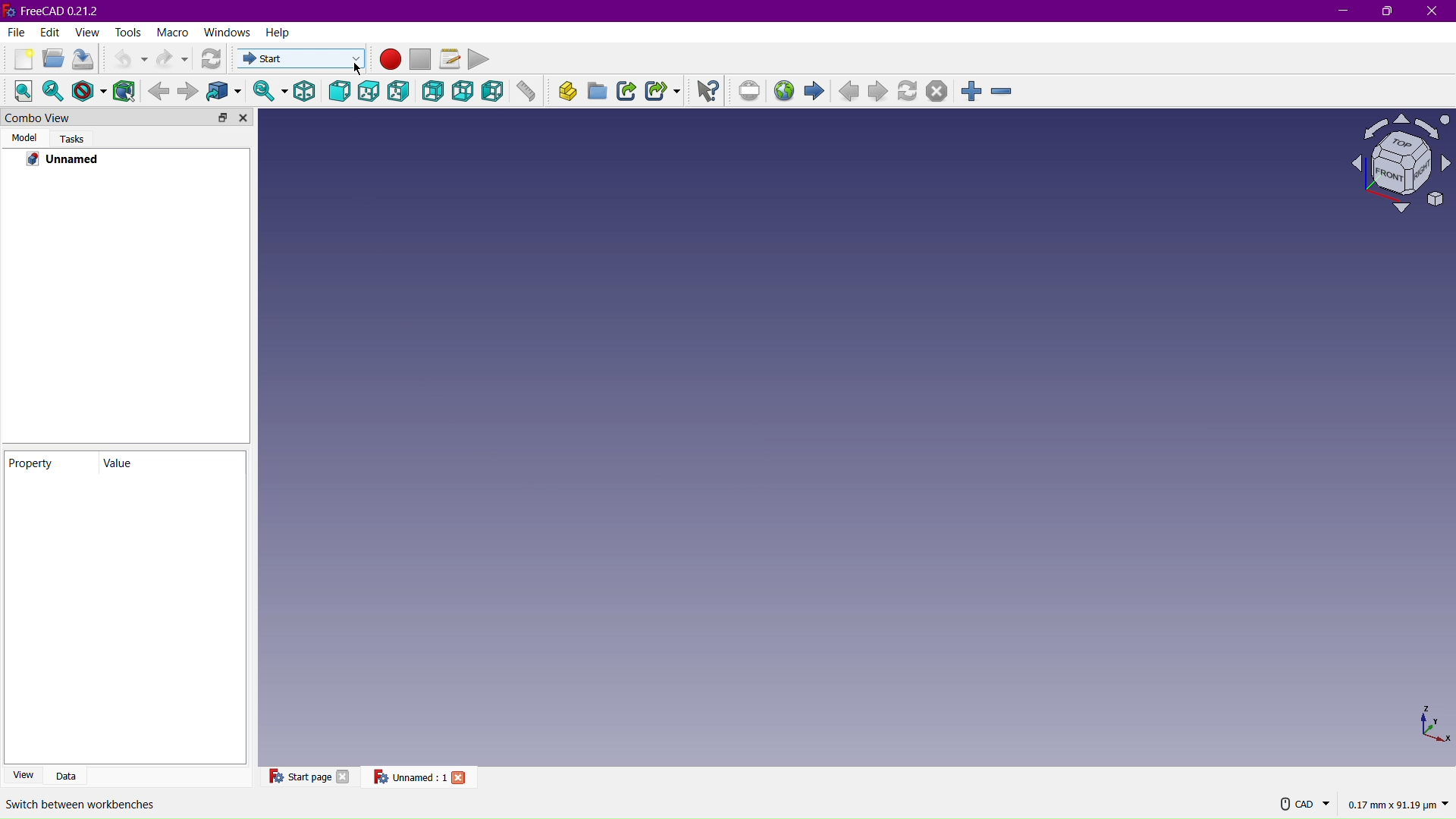 This screenshot has height=819, width=1456. I want to click on unnamed : 1, so click(409, 777).